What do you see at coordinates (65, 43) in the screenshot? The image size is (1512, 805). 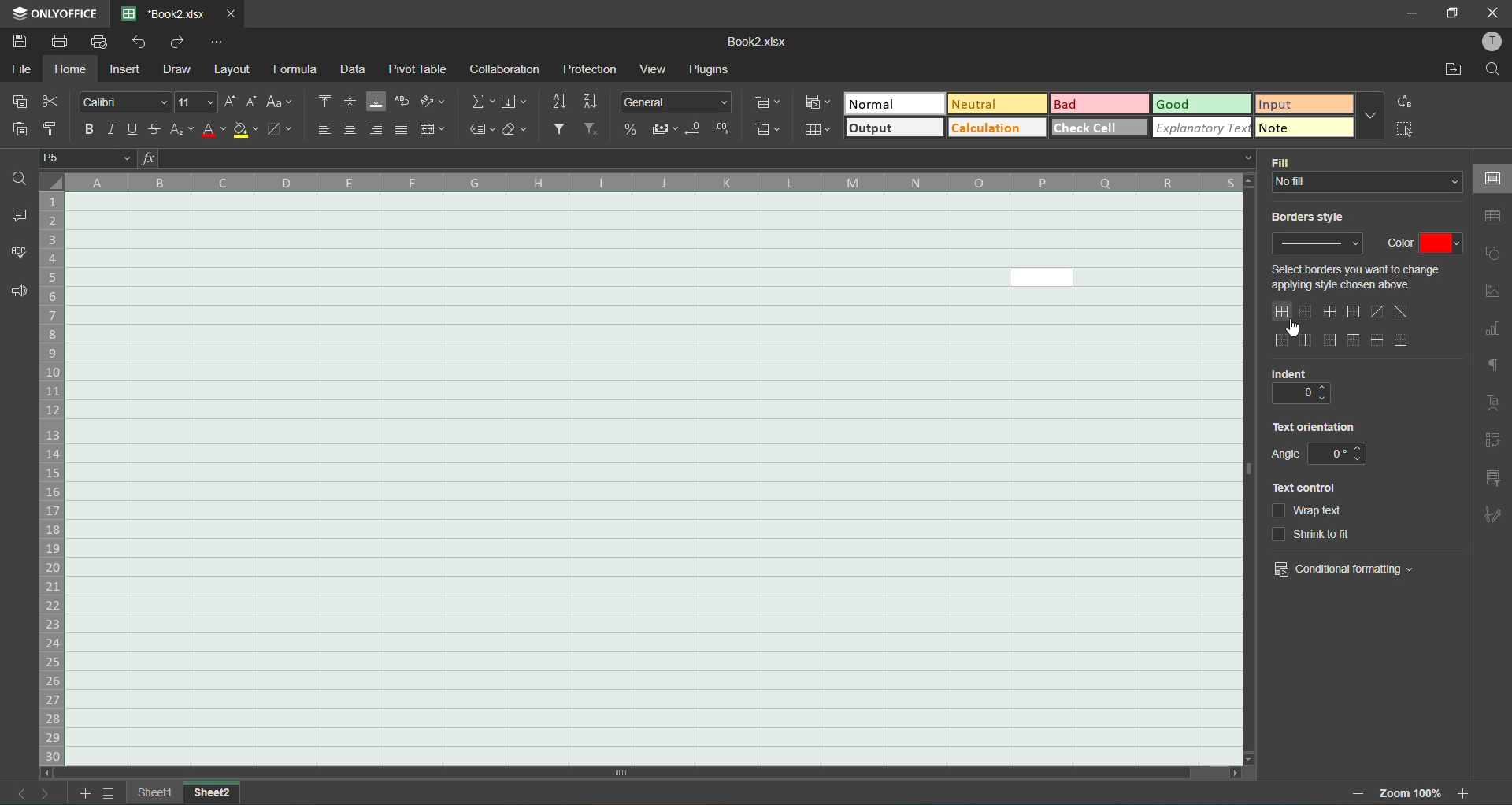 I see `print` at bounding box center [65, 43].